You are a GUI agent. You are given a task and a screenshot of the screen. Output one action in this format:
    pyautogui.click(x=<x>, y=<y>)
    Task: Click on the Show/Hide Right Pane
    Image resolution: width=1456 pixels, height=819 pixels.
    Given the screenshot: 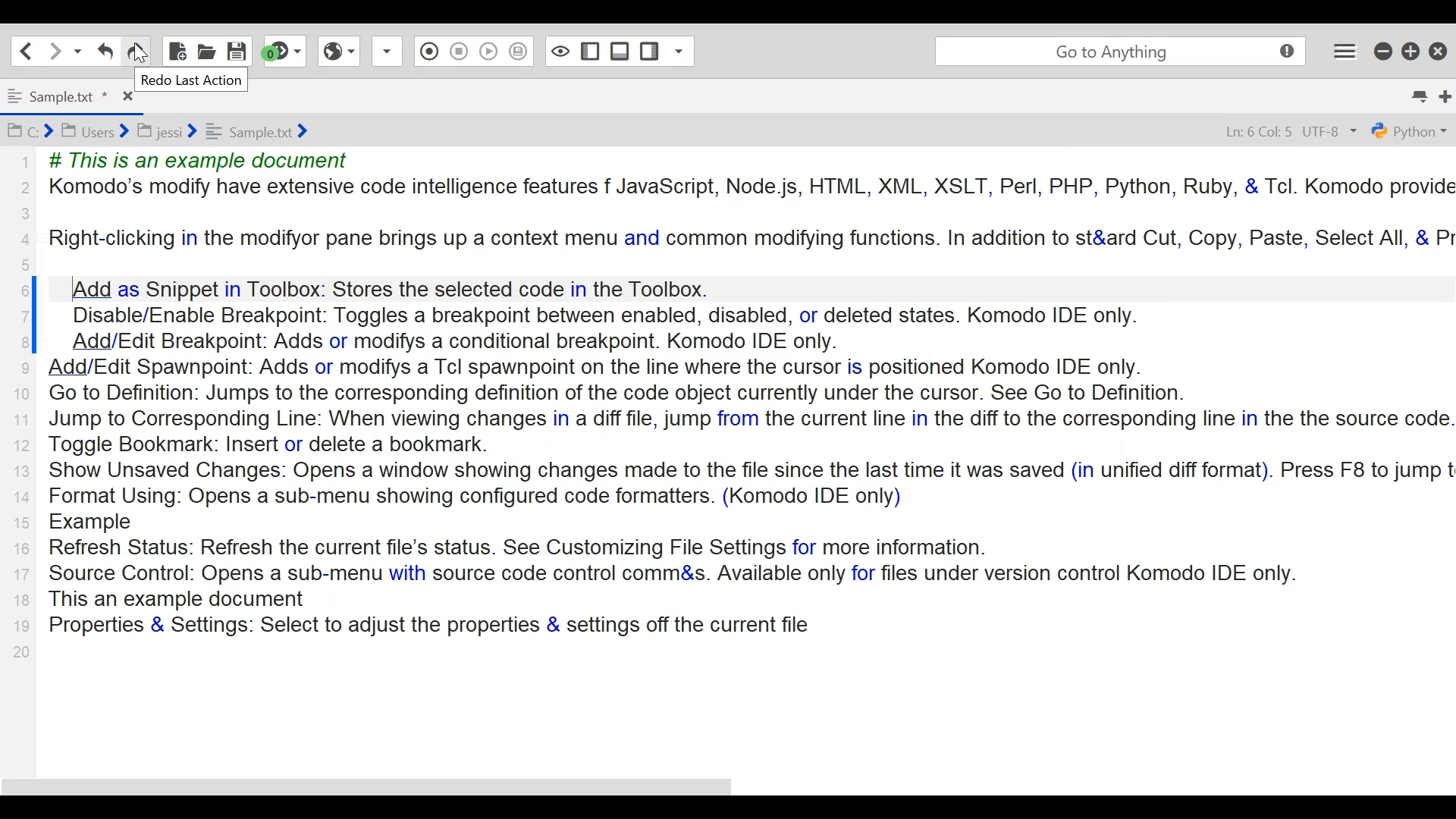 What is the action you would take?
    pyautogui.click(x=649, y=50)
    